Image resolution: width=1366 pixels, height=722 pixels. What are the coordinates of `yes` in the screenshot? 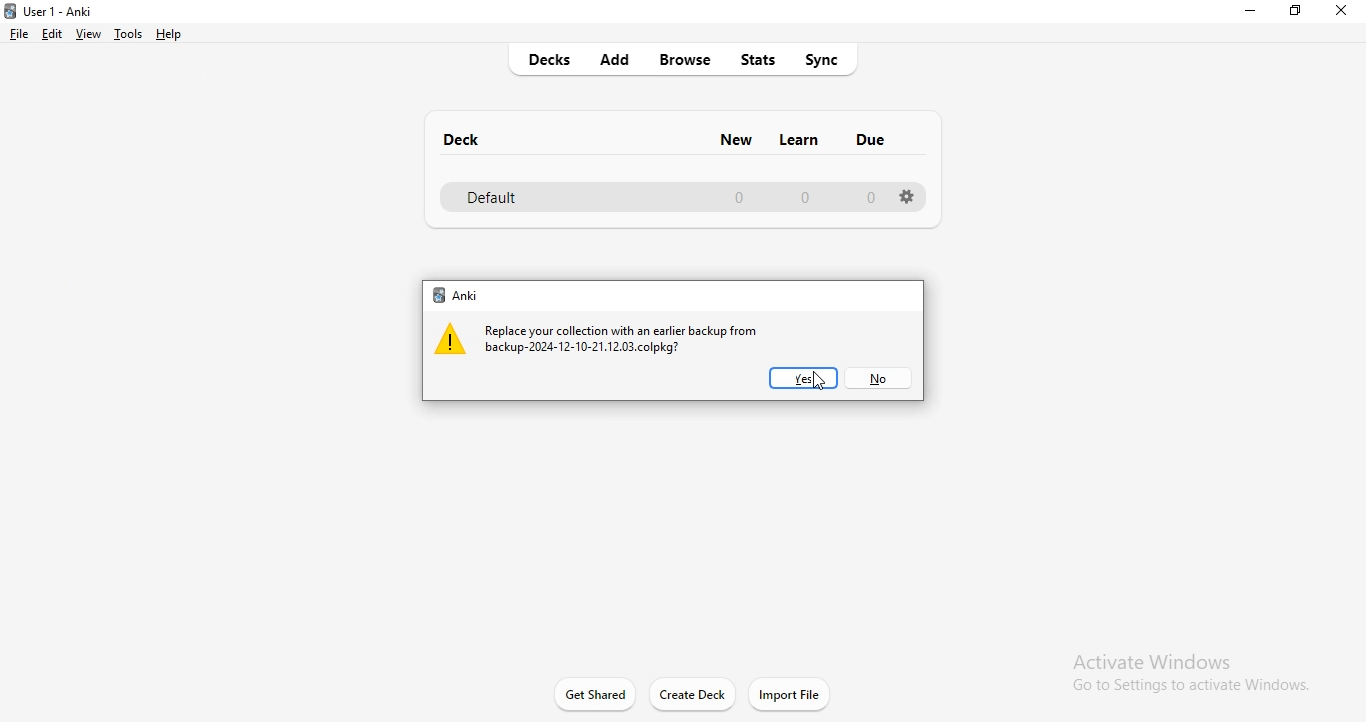 It's located at (803, 378).